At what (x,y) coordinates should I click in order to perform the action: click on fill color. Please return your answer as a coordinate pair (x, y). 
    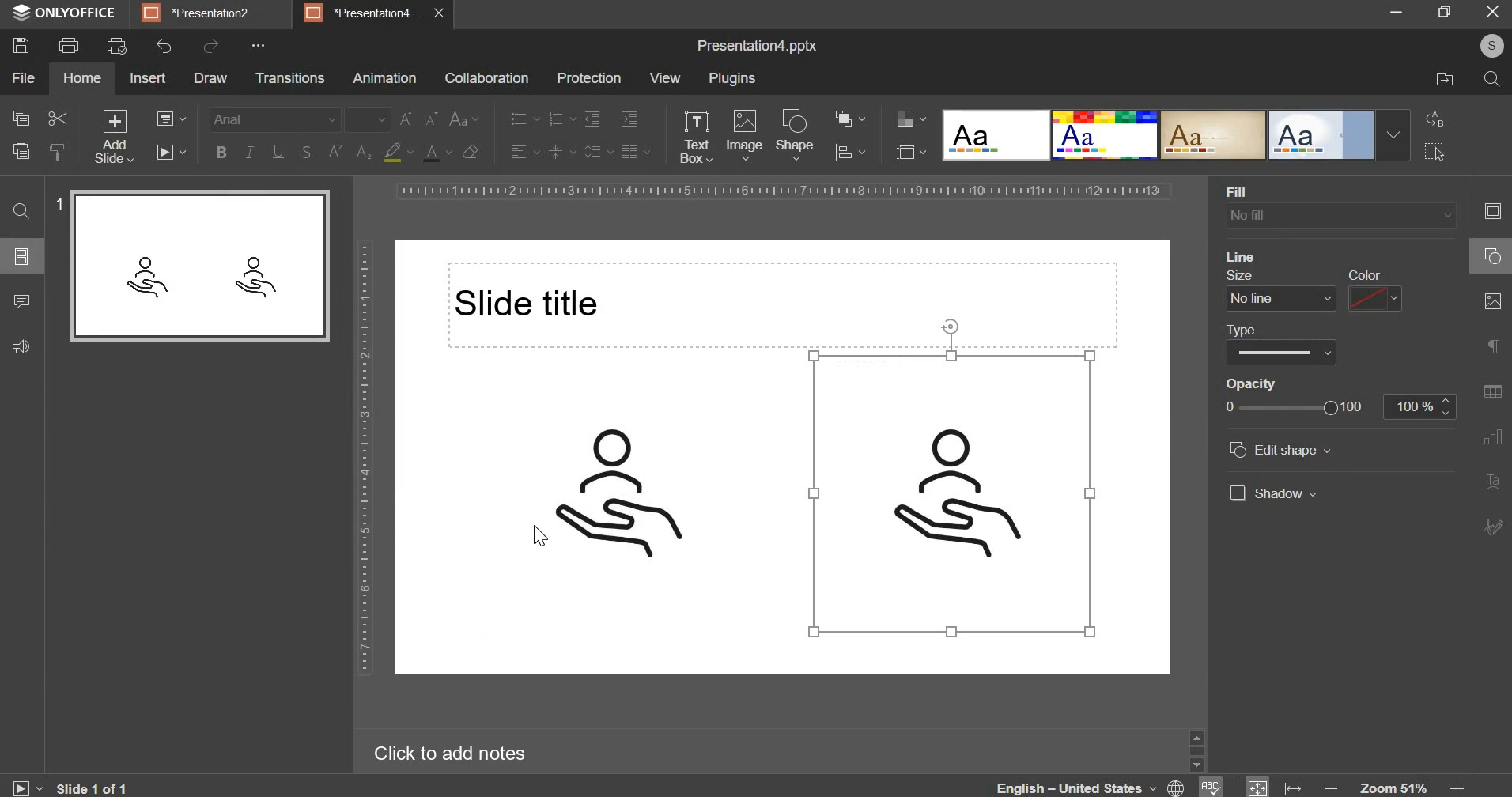
    Looking at the image, I should click on (396, 153).